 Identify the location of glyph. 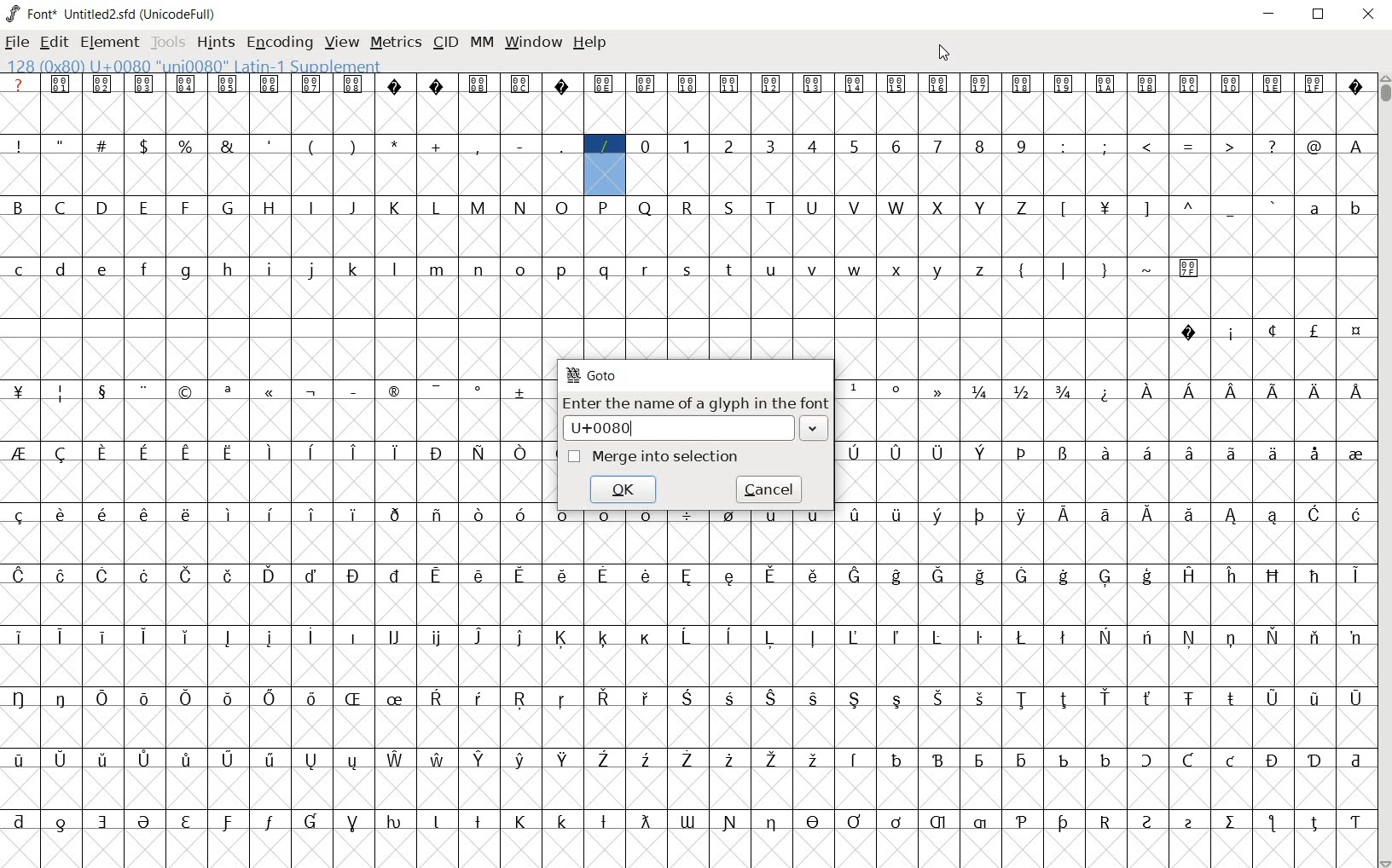
(896, 822).